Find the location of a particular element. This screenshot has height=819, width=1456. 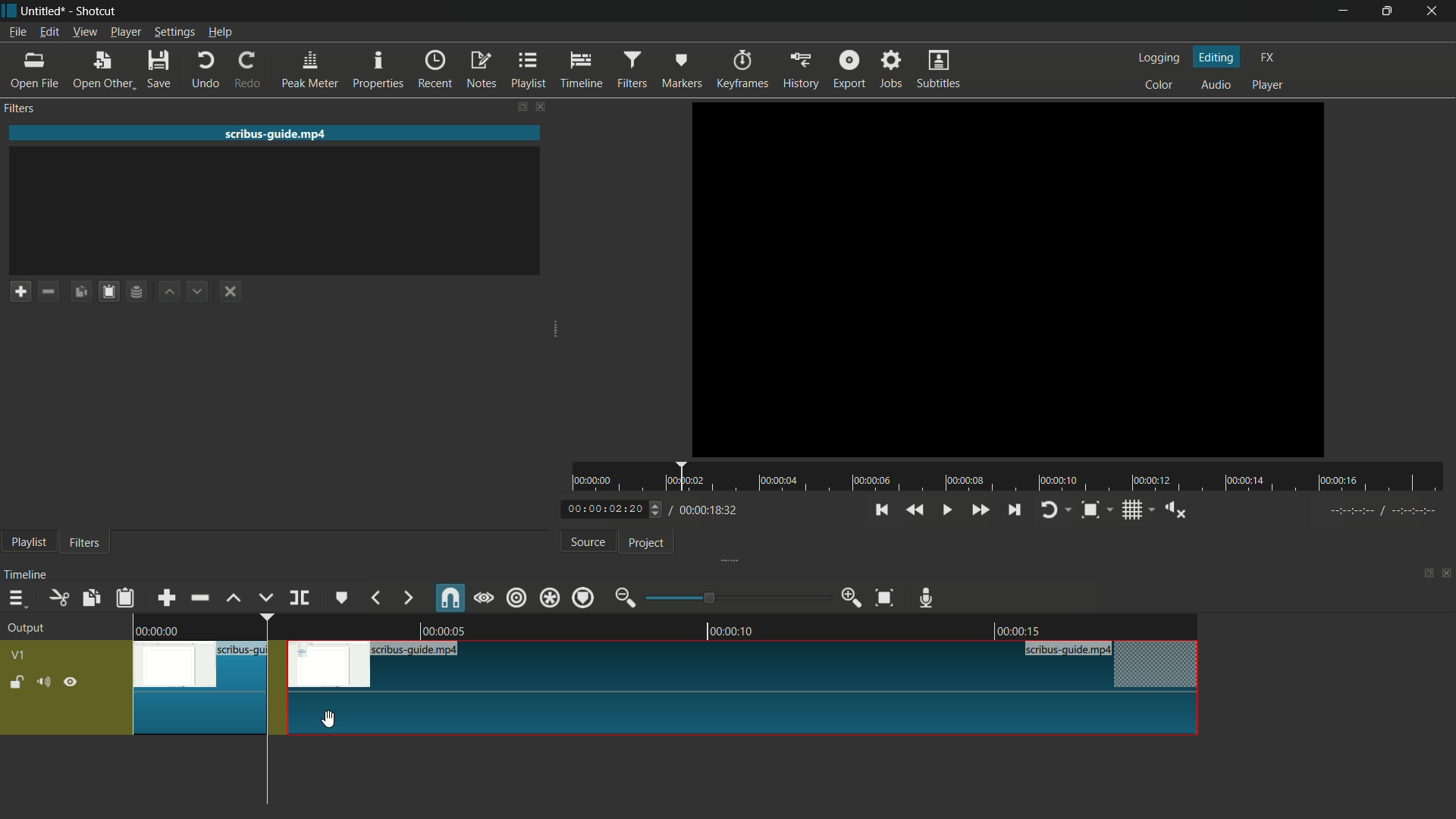

project is located at coordinates (645, 543).